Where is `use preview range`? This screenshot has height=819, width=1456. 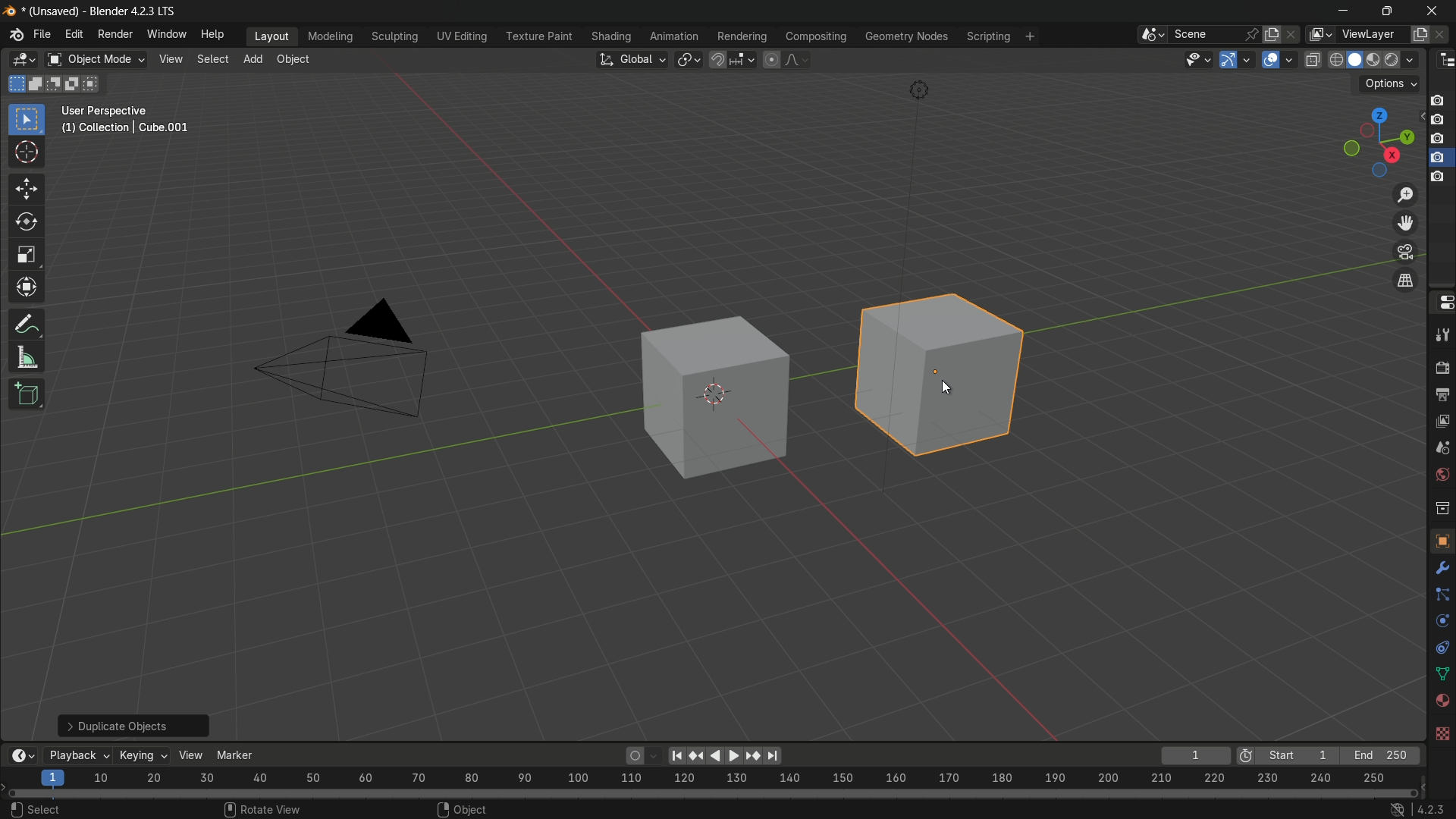
use preview range is located at coordinates (1245, 757).